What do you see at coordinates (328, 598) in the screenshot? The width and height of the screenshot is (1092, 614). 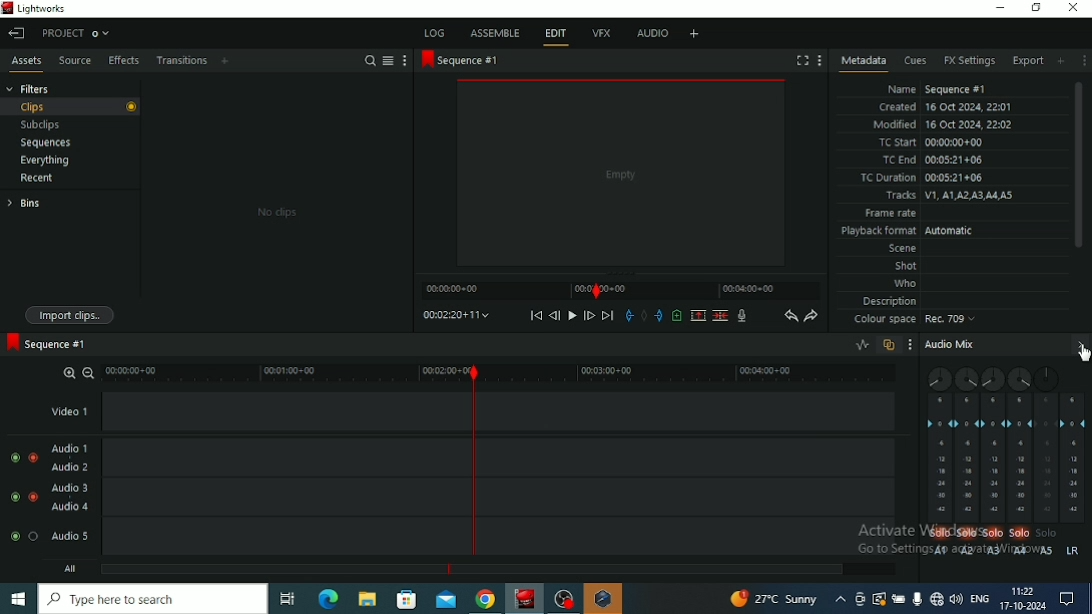 I see `Microsoft Edge` at bounding box center [328, 598].